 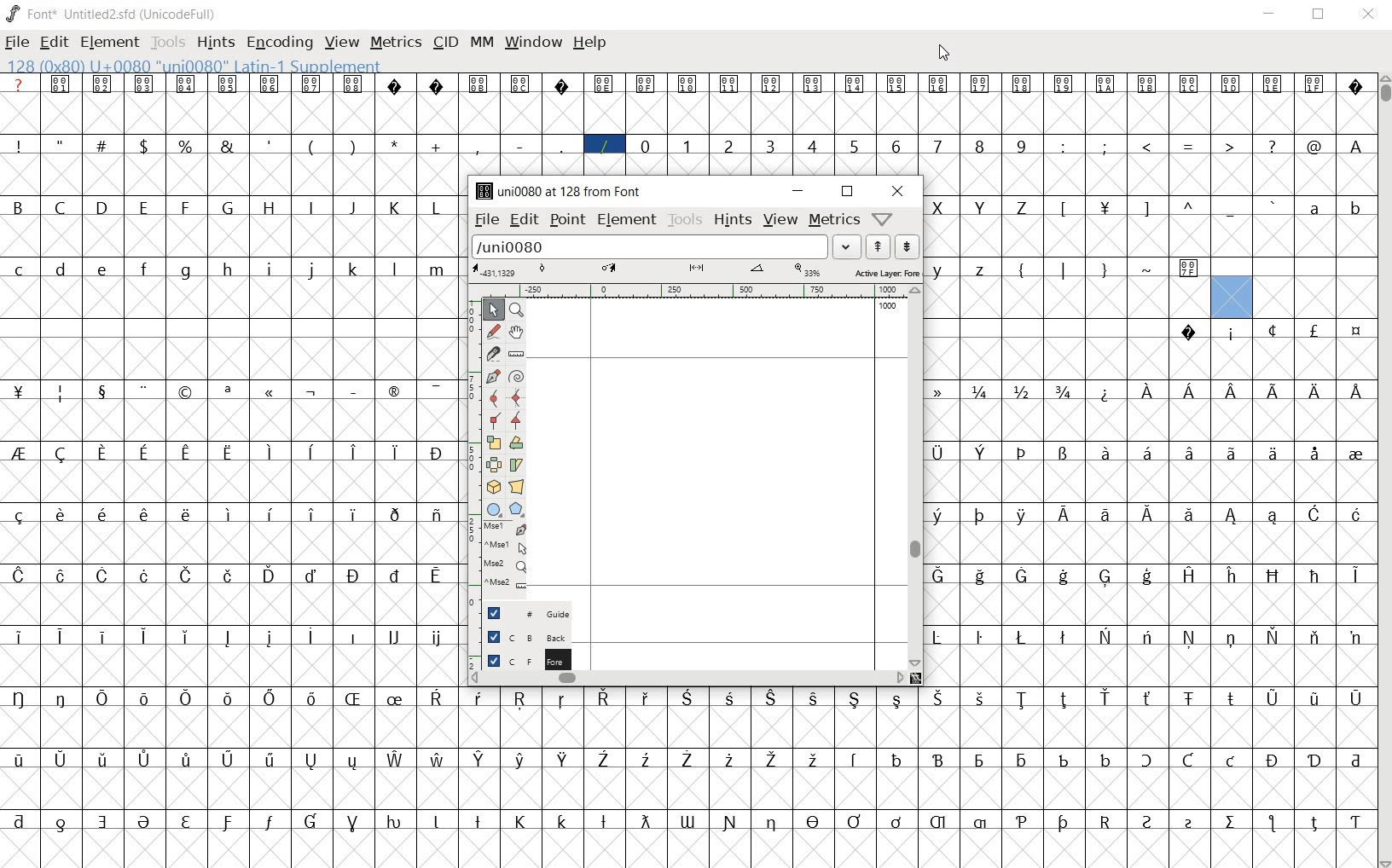 What do you see at coordinates (31, 13) in the screenshot?
I see `FONT` at bounding box center [31, 13].